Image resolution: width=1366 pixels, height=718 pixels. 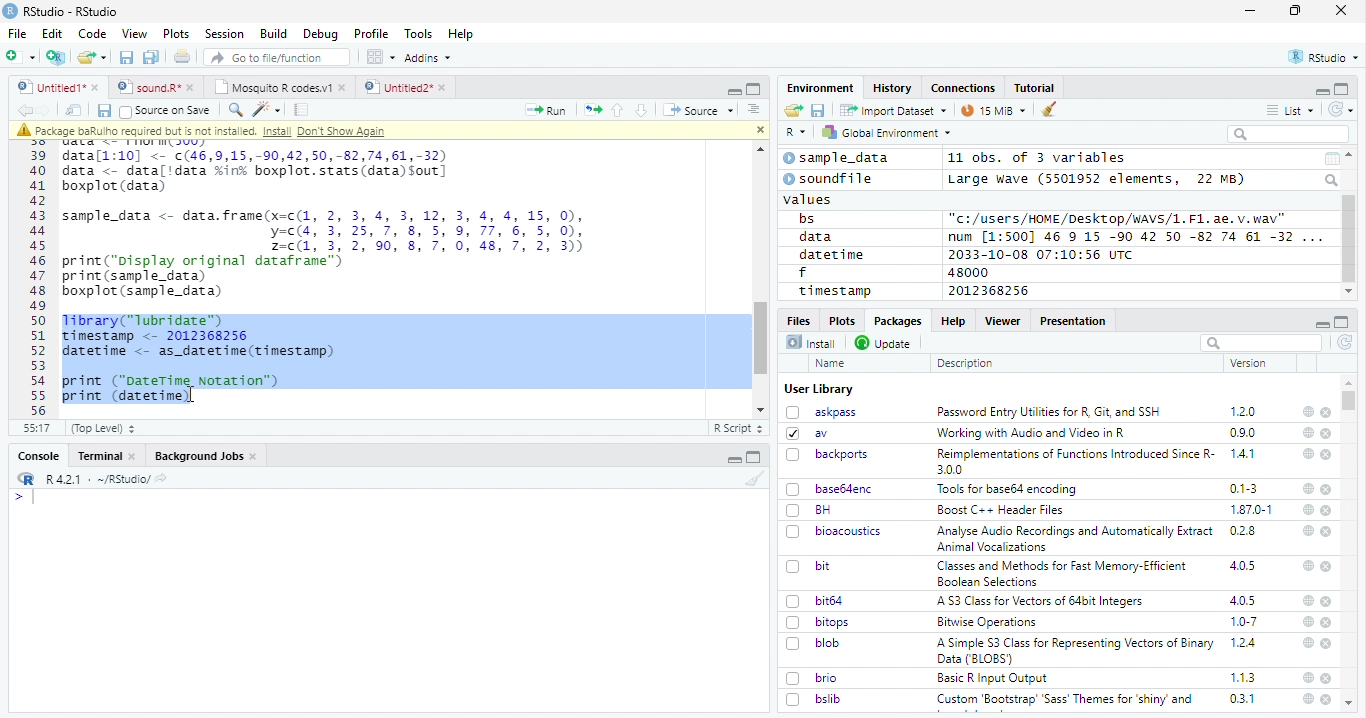 I want to click on 2012368256, so click(x=992, y=291).